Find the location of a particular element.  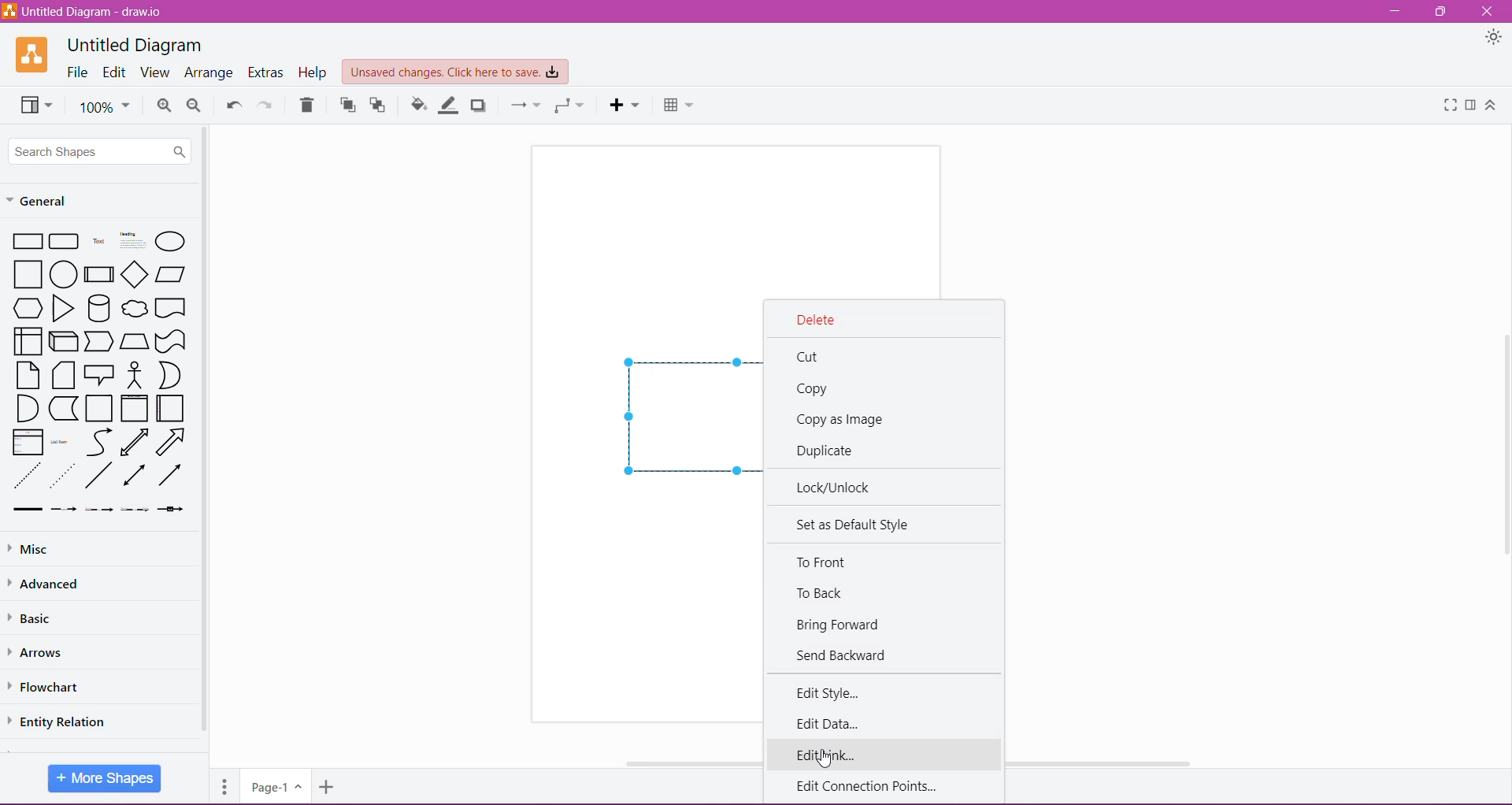

Canvas with selected shape is located at coordinates (644, 433).